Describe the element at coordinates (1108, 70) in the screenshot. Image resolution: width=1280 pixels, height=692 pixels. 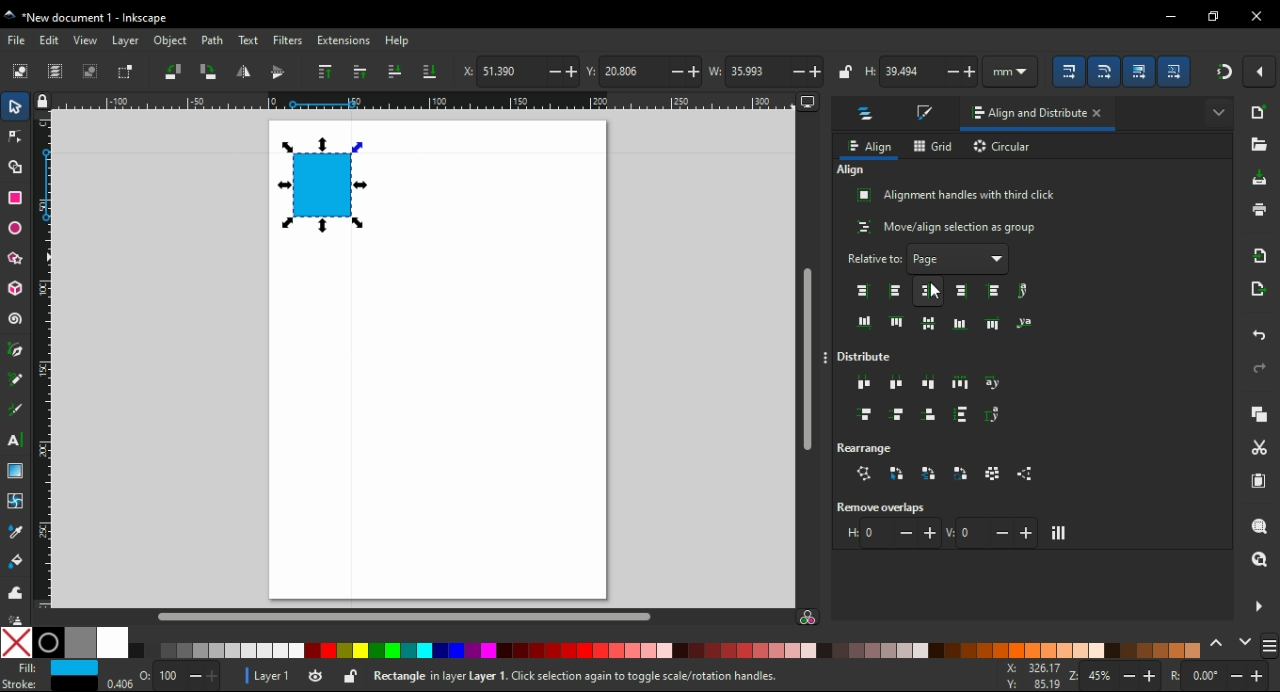
I see `when scaling a rectangle, scale the radii of the rounded corners` at that location.